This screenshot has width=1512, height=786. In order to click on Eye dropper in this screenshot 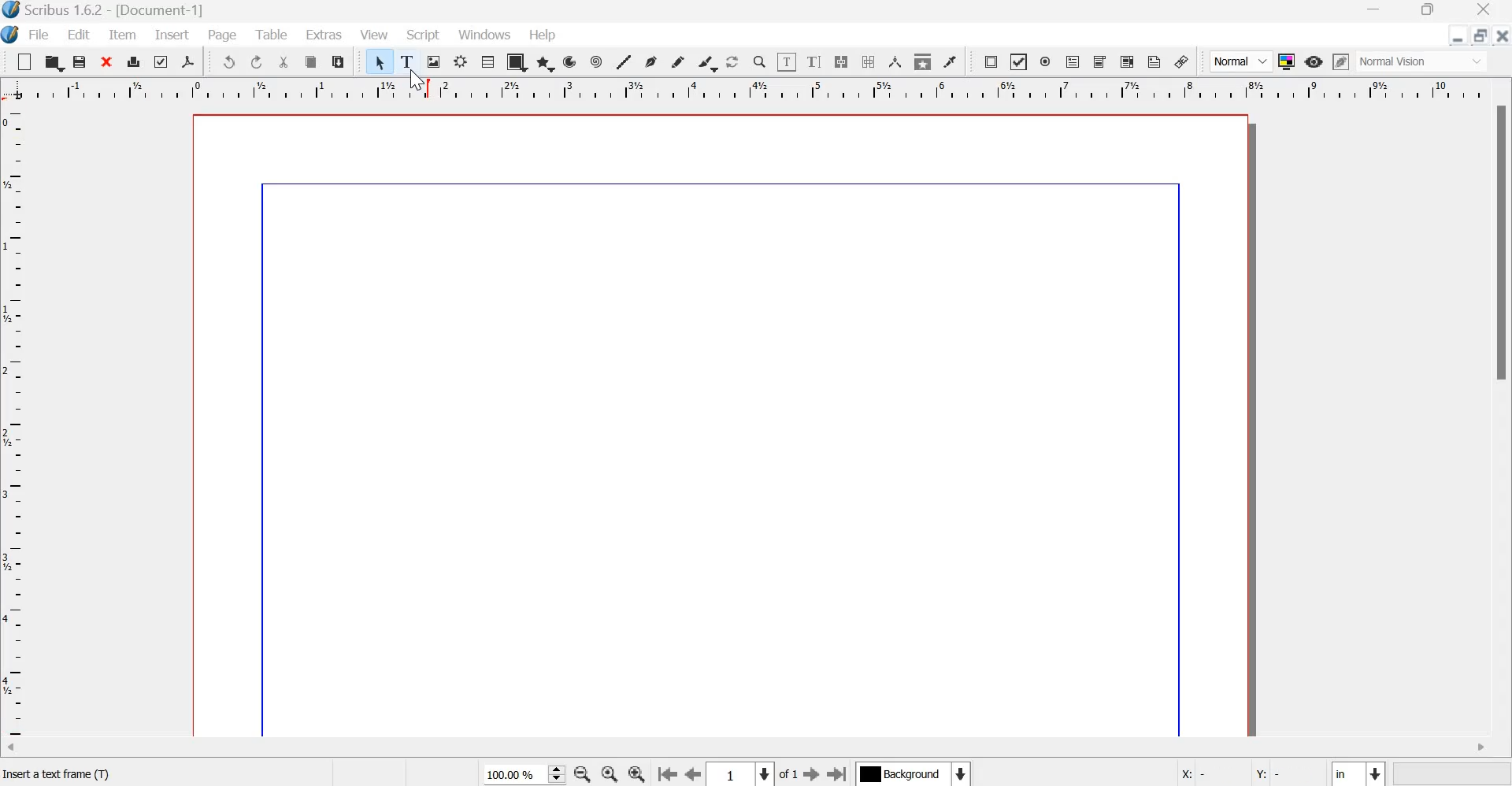, I will do `click(950, 61)`.